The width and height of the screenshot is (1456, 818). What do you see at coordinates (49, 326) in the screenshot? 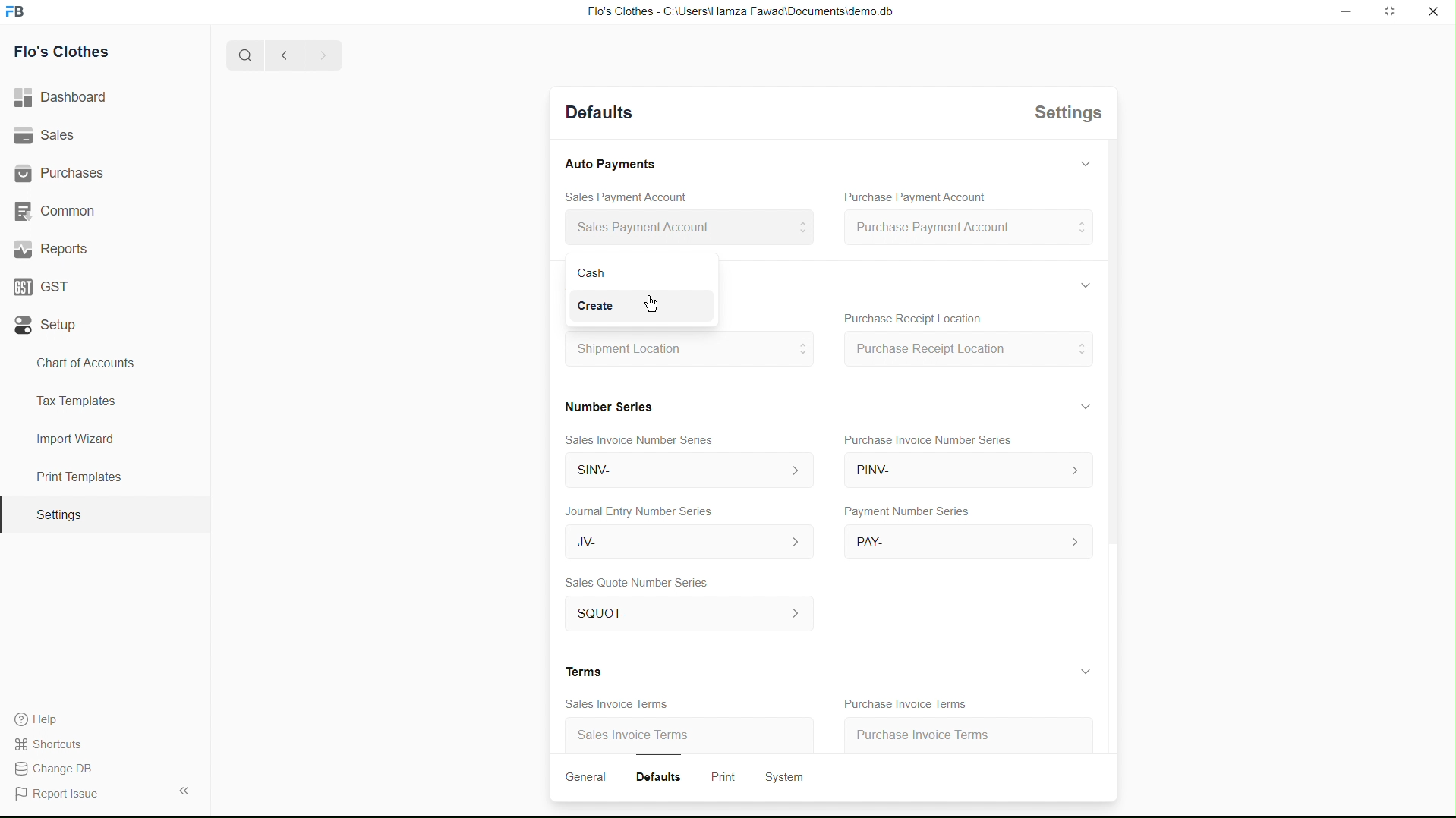
I see `Setup` at bounding box center [49, 326].